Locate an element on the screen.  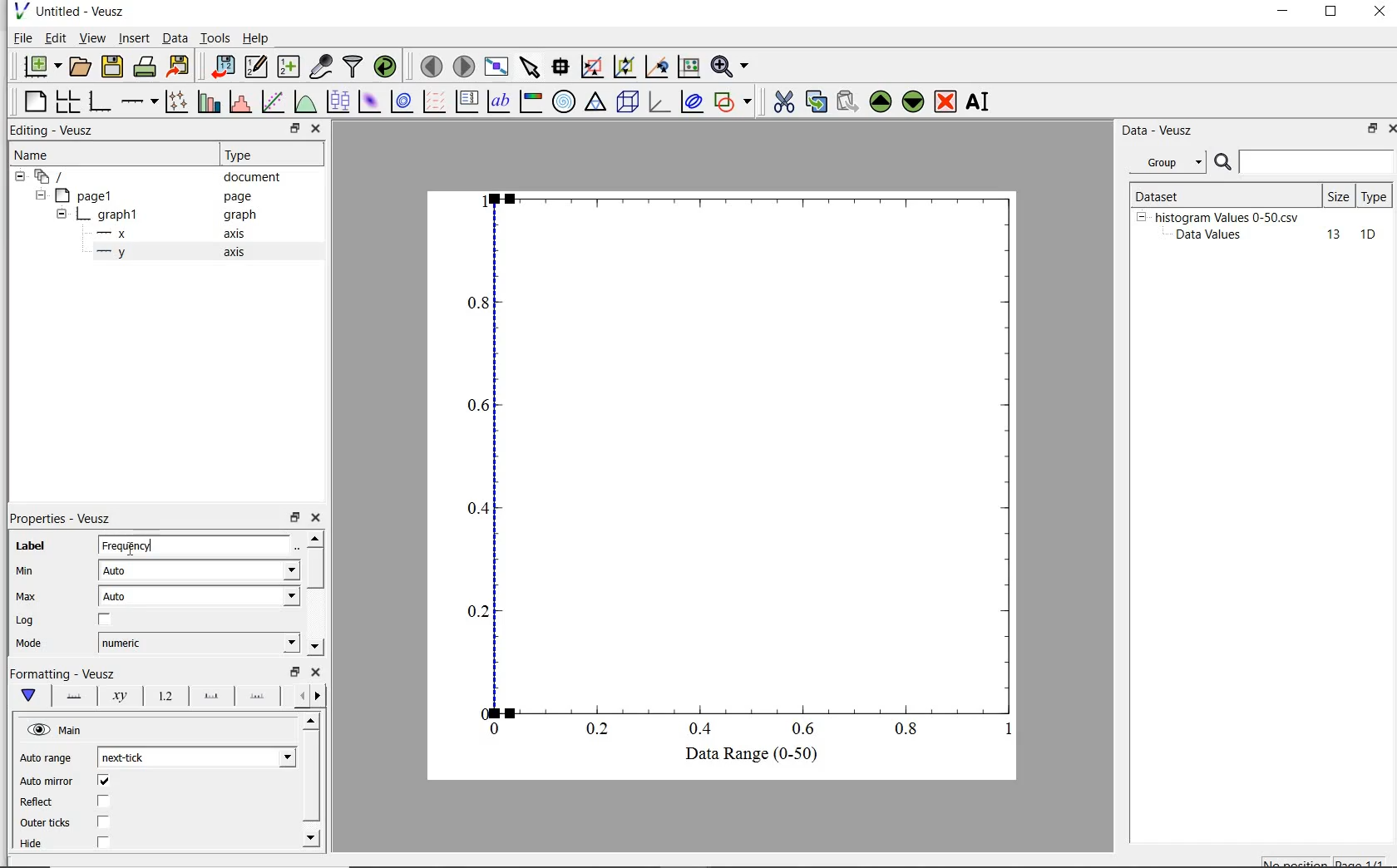
minimize is located at coordinates (1284, 13).